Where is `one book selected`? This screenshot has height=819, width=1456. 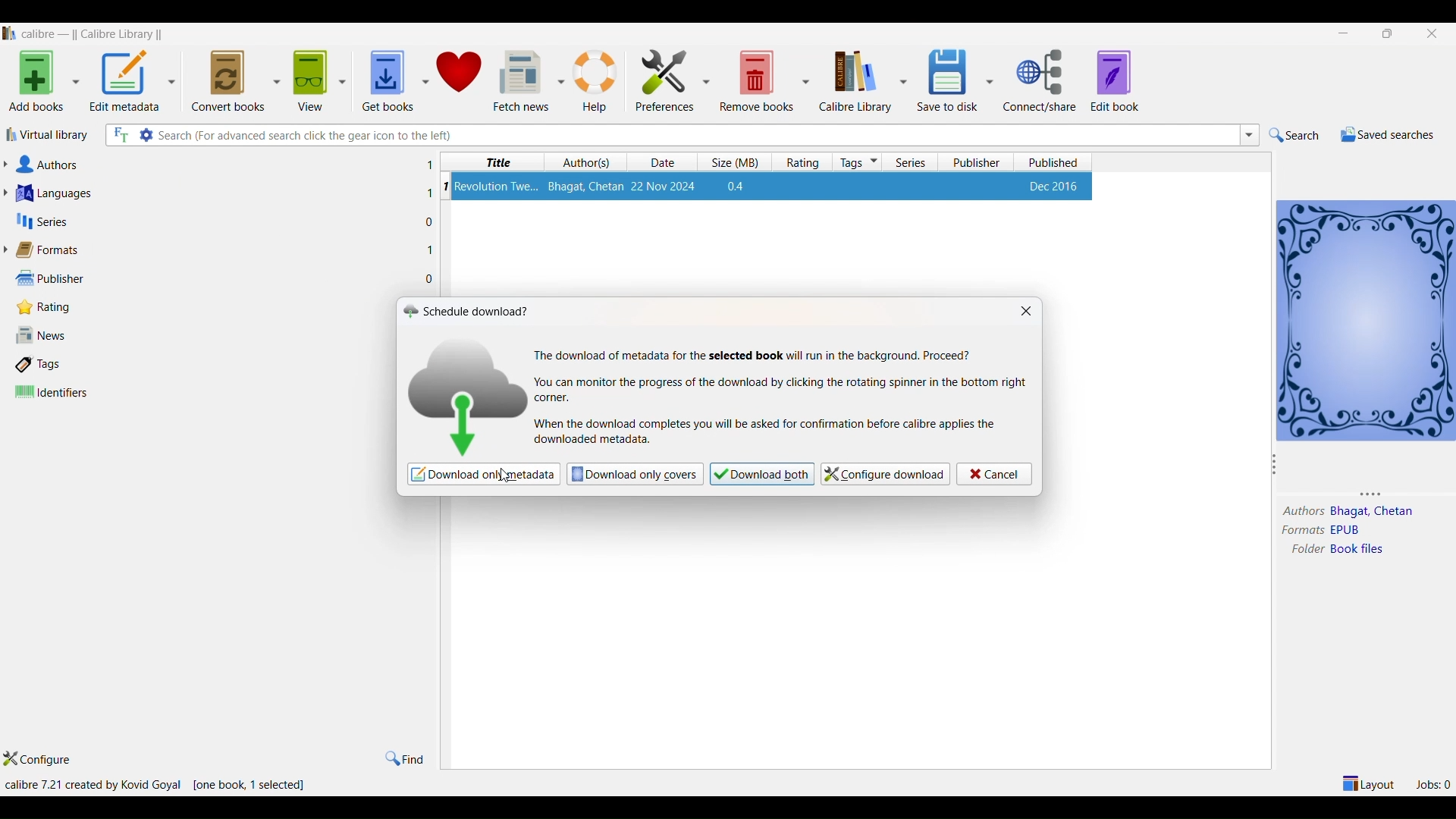
one book selected is located at coordinates (248, 784).